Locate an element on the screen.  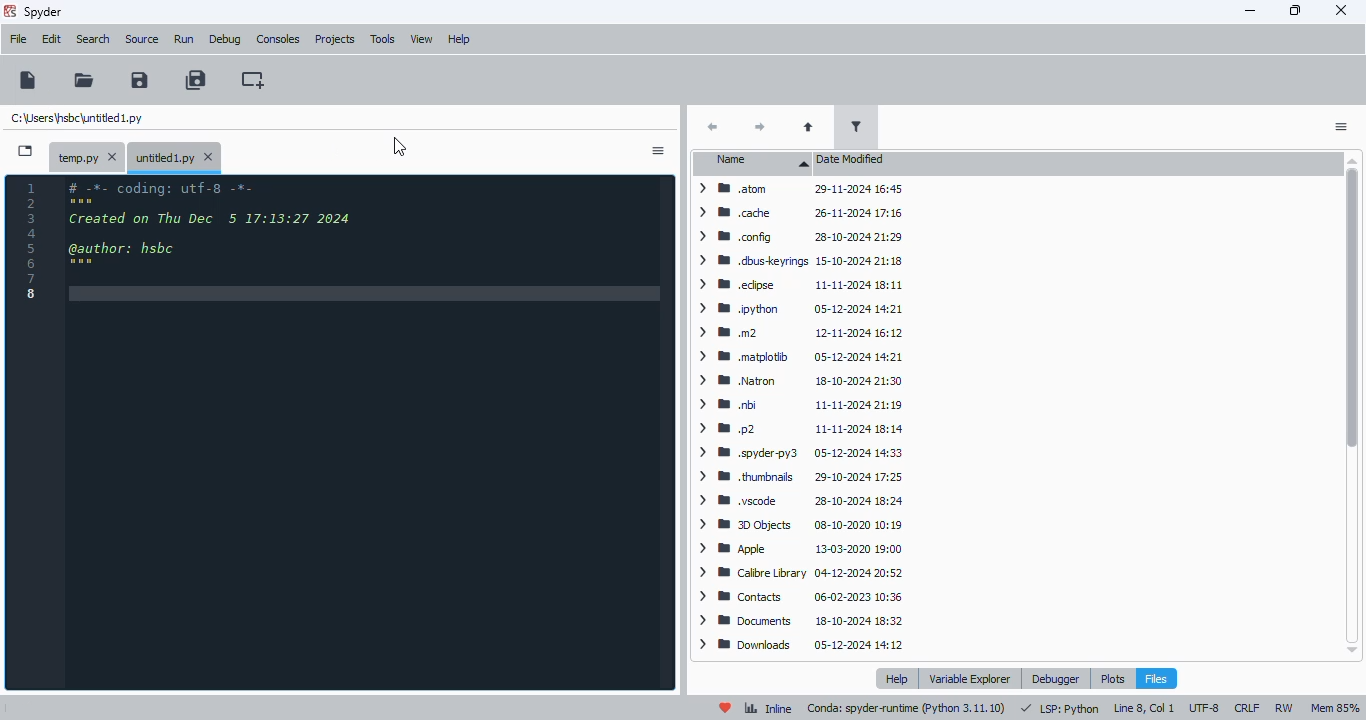
debug is located at coordinates (225, 40).